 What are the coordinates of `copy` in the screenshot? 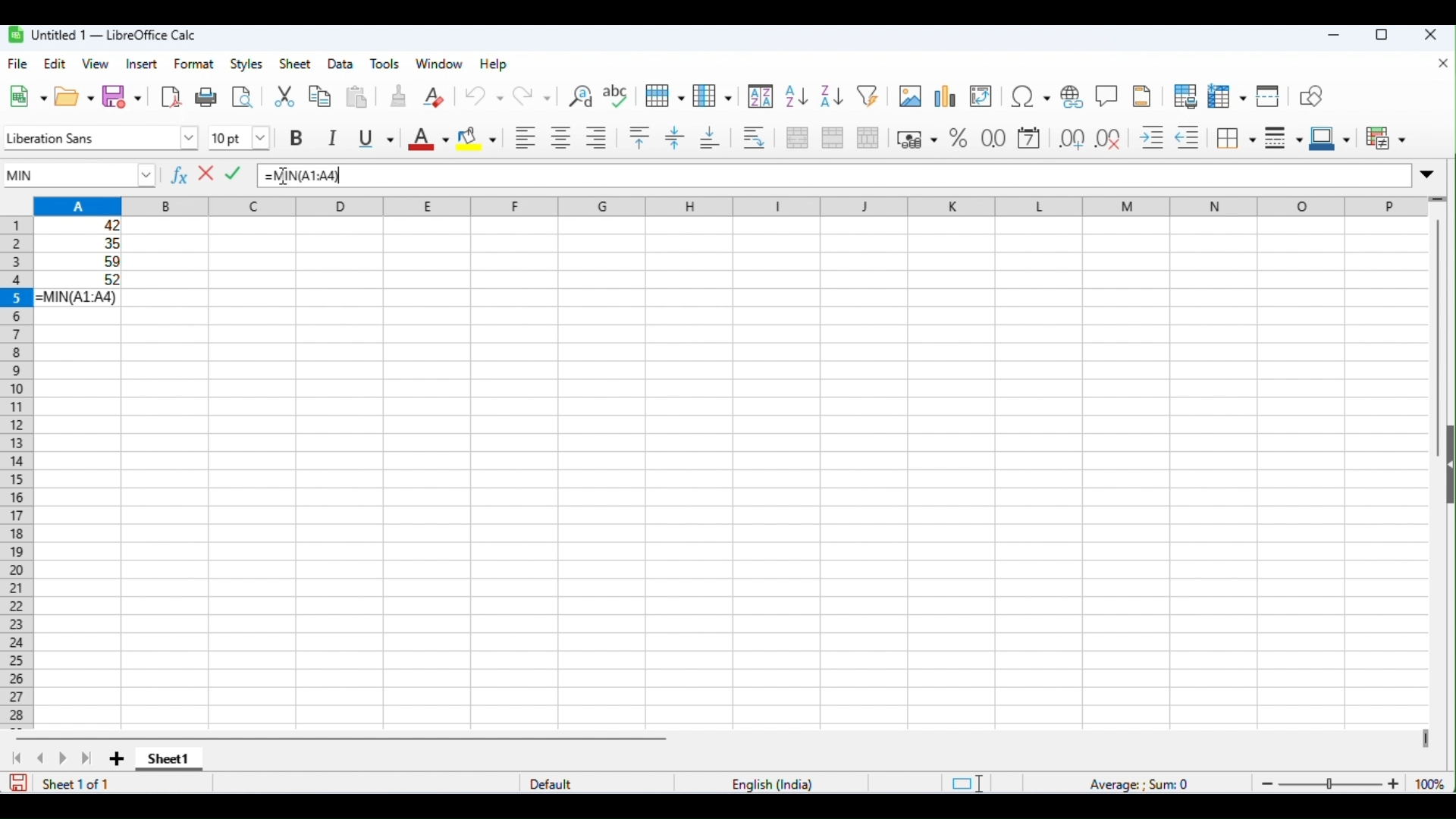 It's located at (322, 96).